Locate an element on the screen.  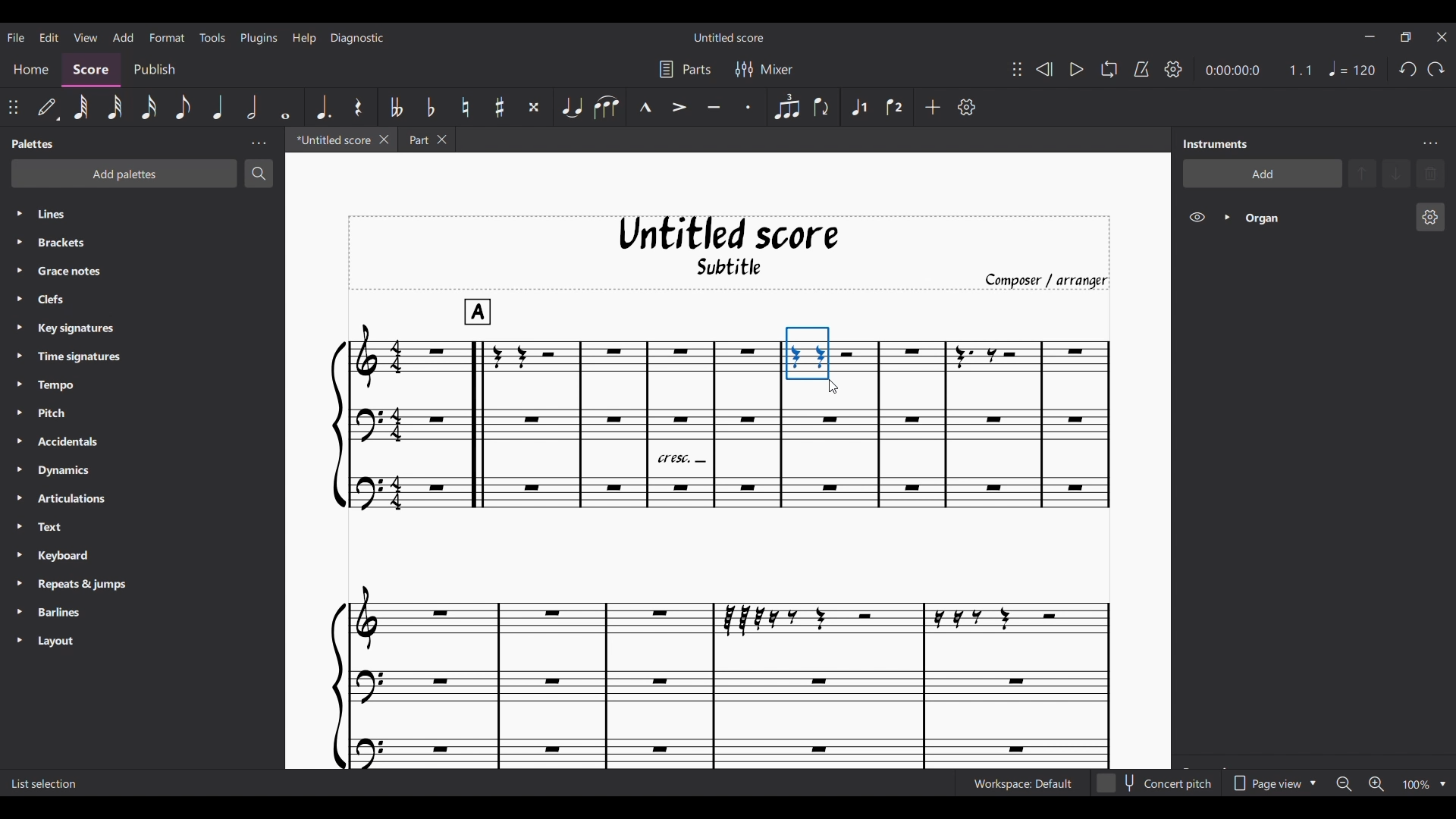
Redo is located at coordinates (1436, 69).